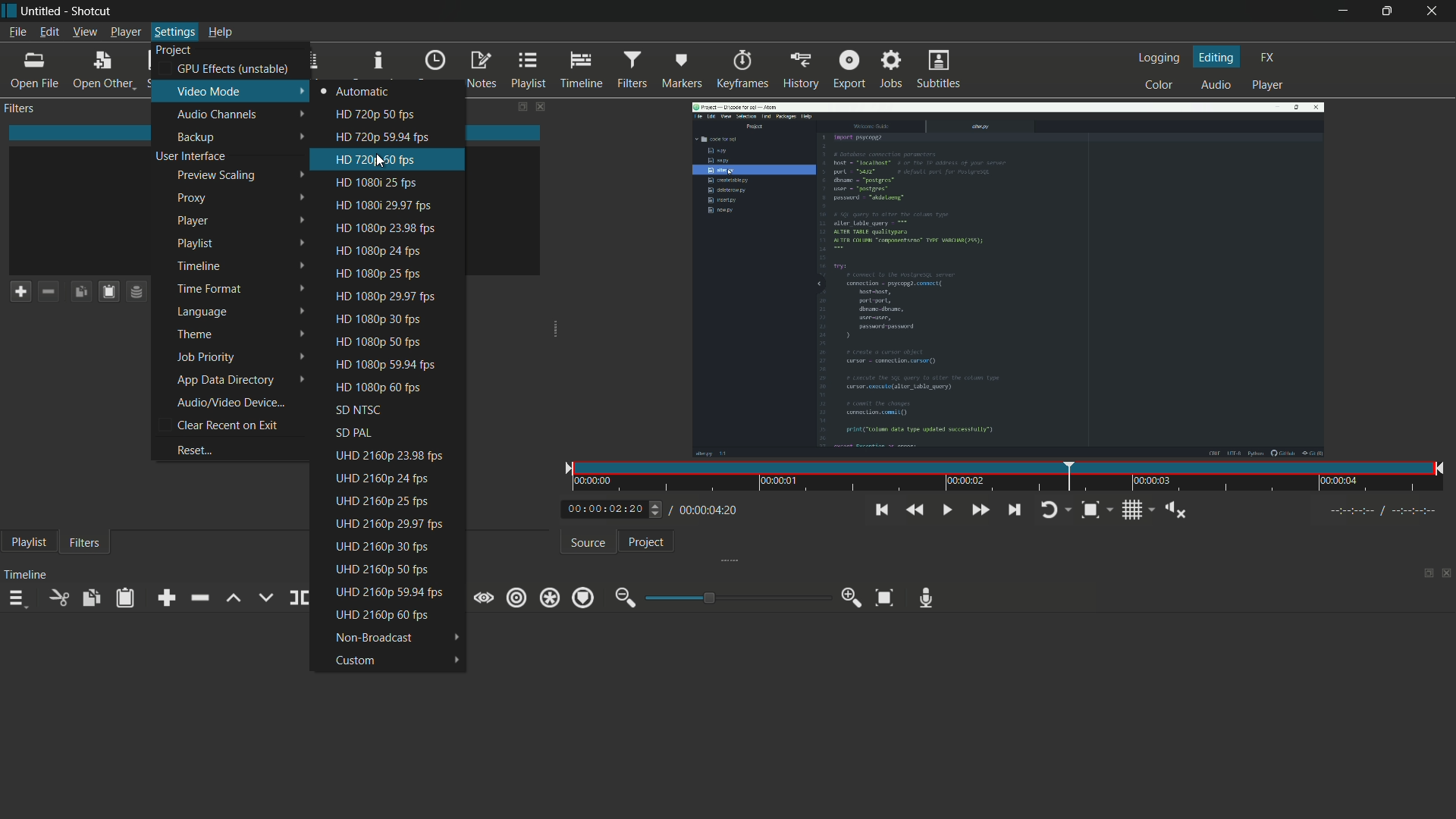 Image resolution: width=1456 pixels, height=819 pixels. What do you see at coordinates (1097, 510) in the screenshot?
I see `toggle zoom` at bounding box center [1097, 510].